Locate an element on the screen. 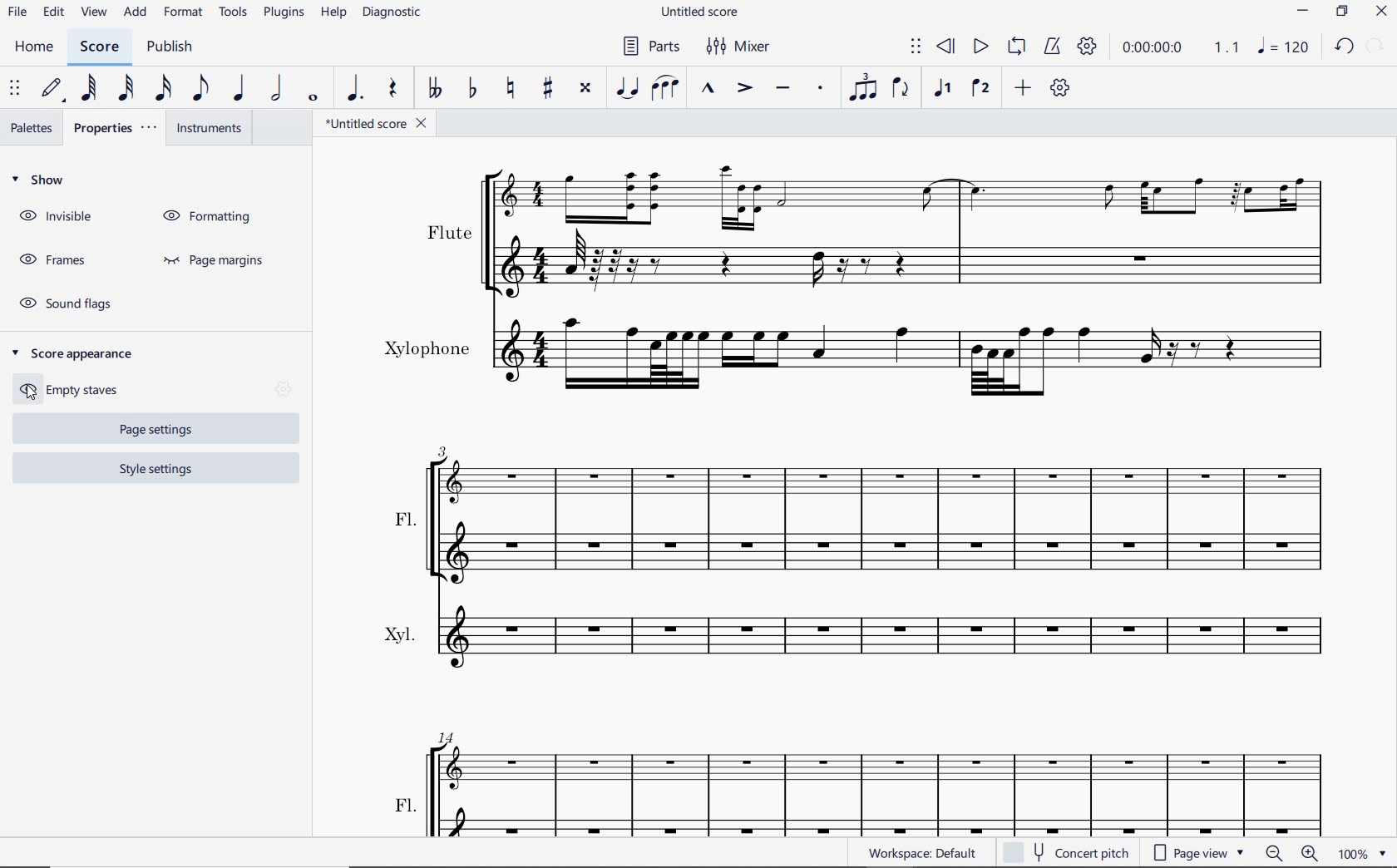 The height and width of the screenshot is (868, 1397). FORMATTING is located at coordinates (210, 213).